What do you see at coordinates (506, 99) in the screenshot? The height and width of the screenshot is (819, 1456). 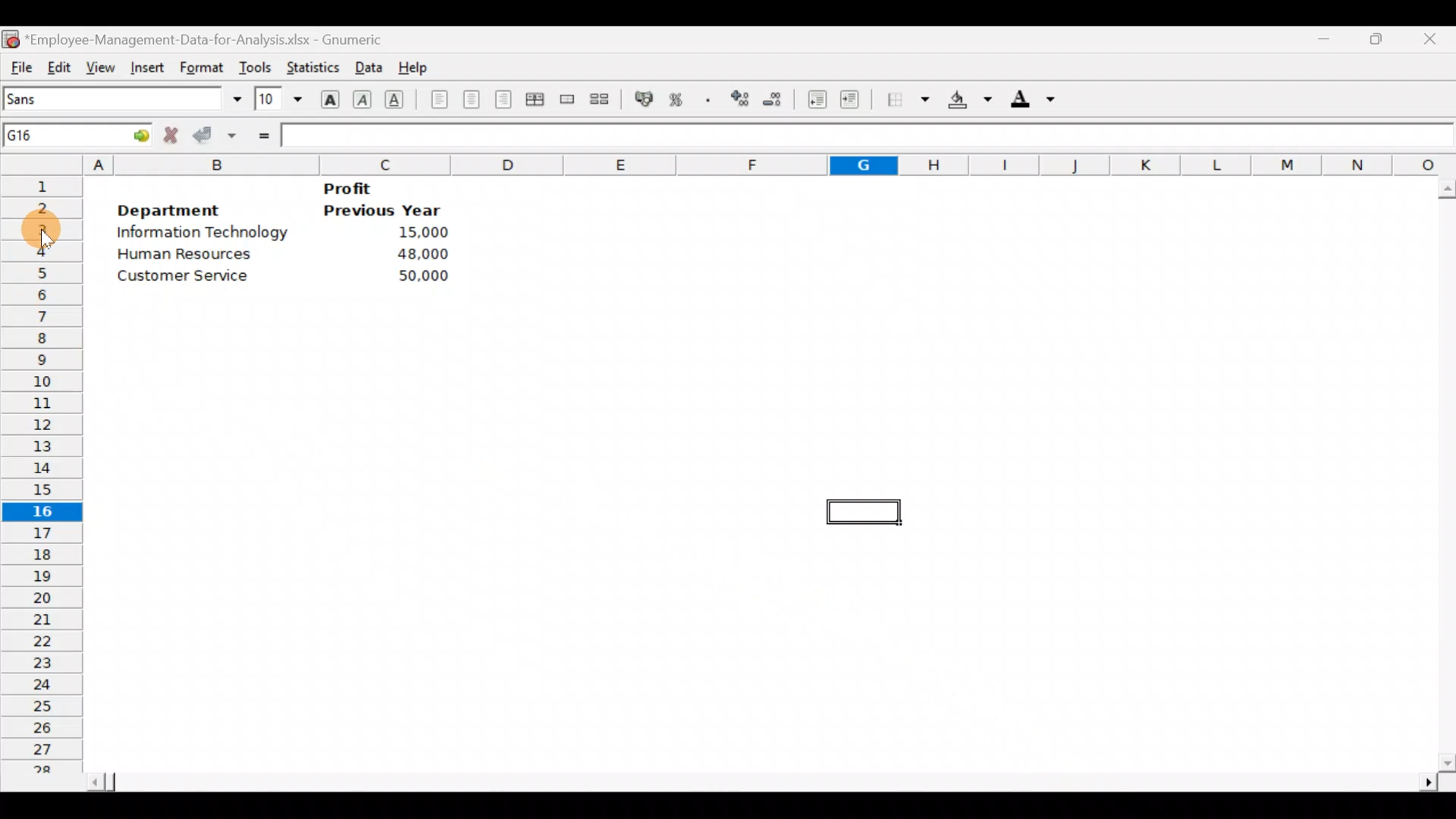 I see `Align right` at bounding box center [506, 99].